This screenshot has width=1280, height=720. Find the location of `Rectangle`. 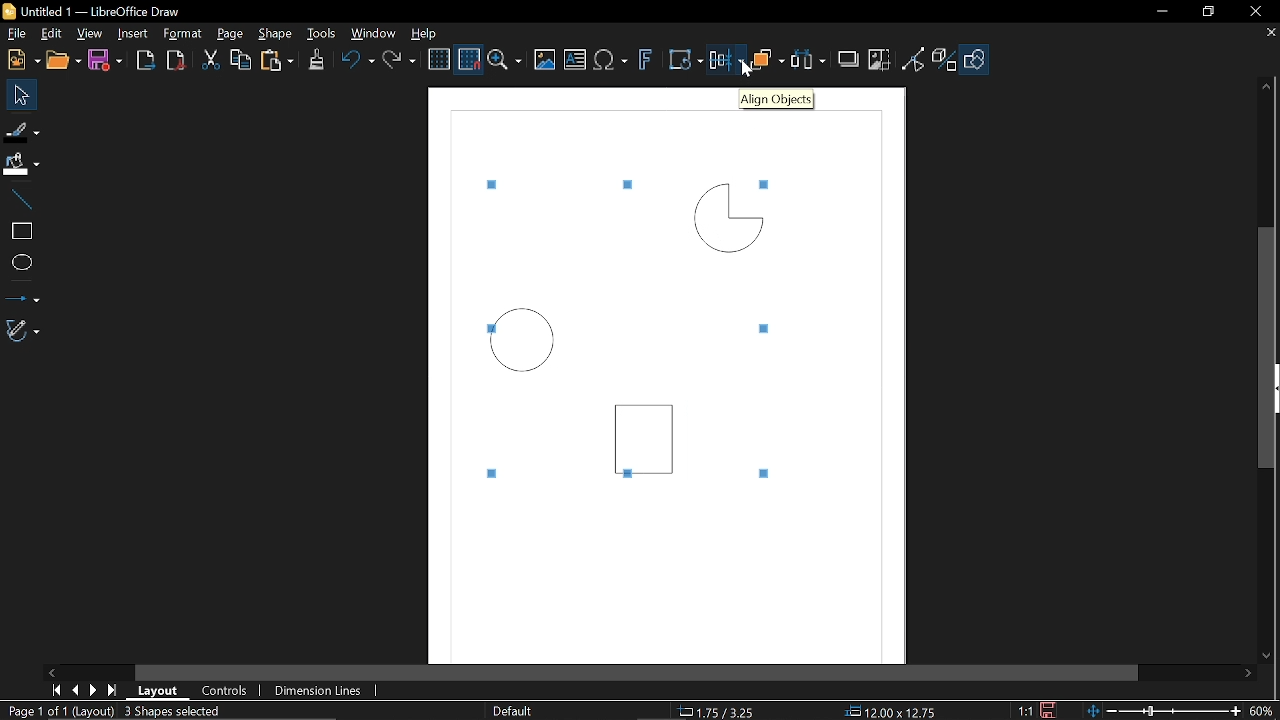

Rectangle is located at coordinates (648, 433).